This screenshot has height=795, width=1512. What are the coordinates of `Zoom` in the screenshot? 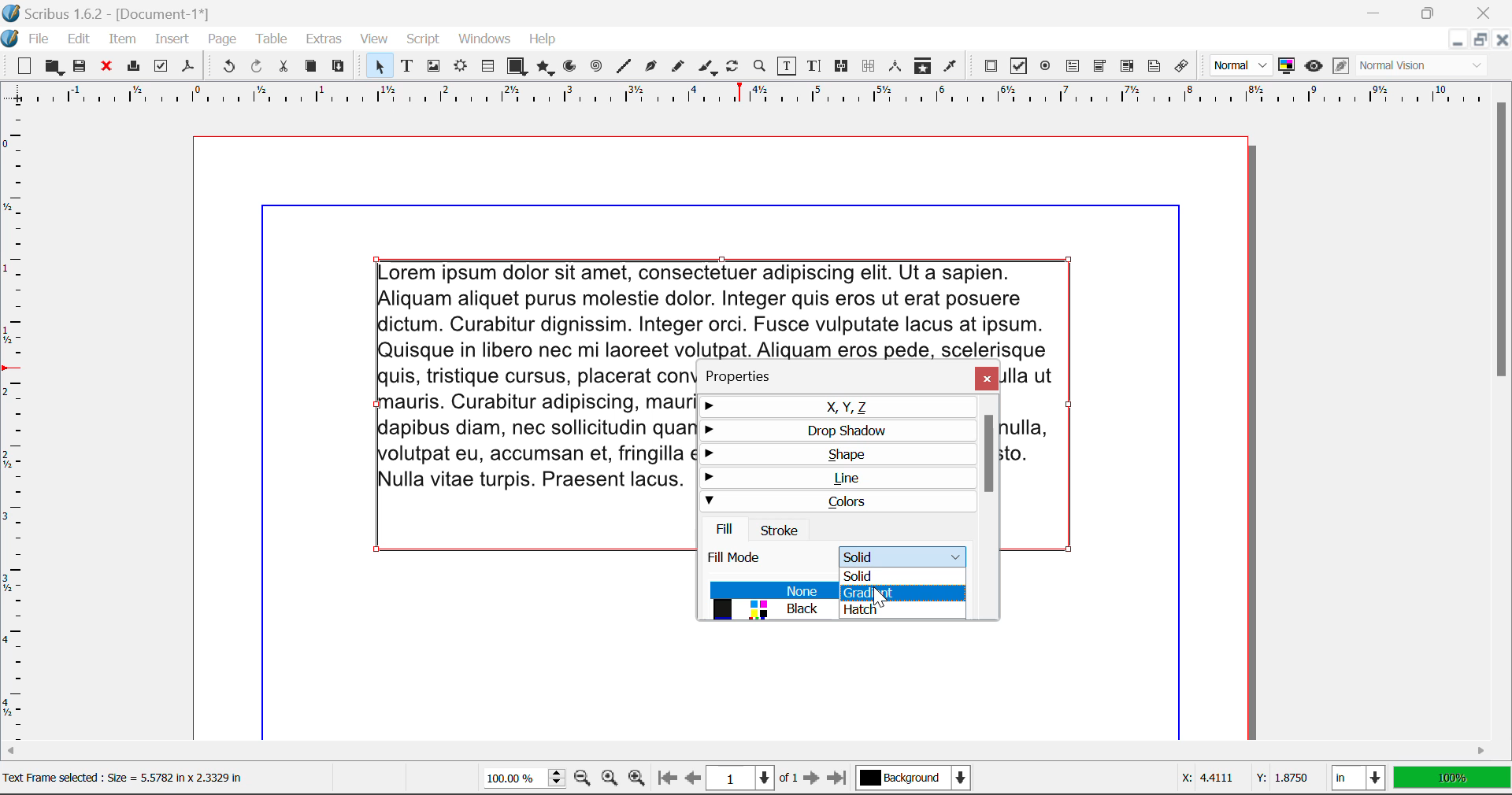 It's located at (760, 65).